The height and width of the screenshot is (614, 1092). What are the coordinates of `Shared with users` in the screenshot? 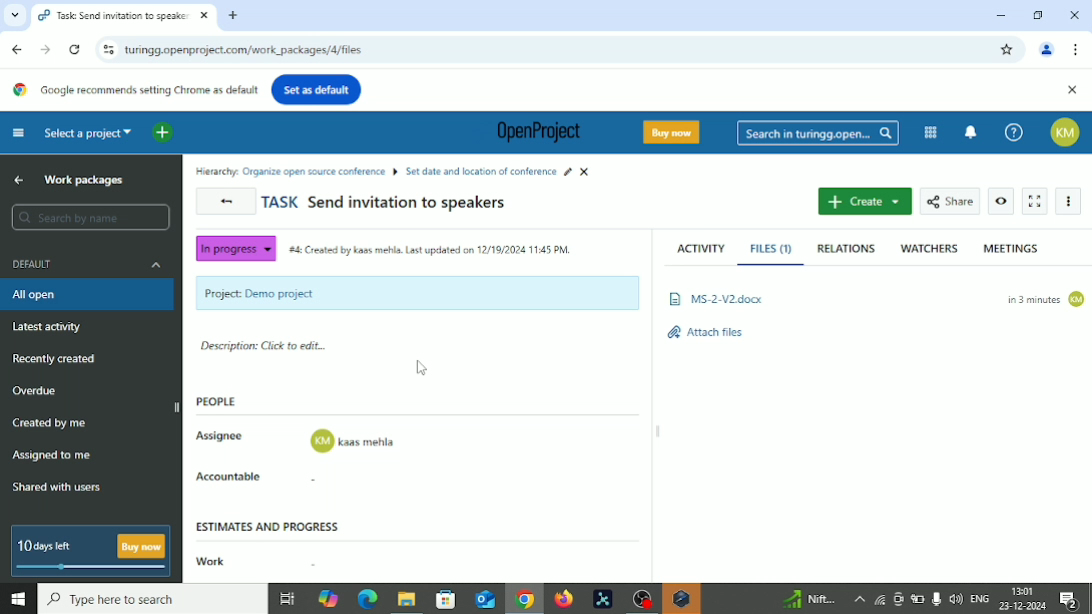 It's located at (58, 489).